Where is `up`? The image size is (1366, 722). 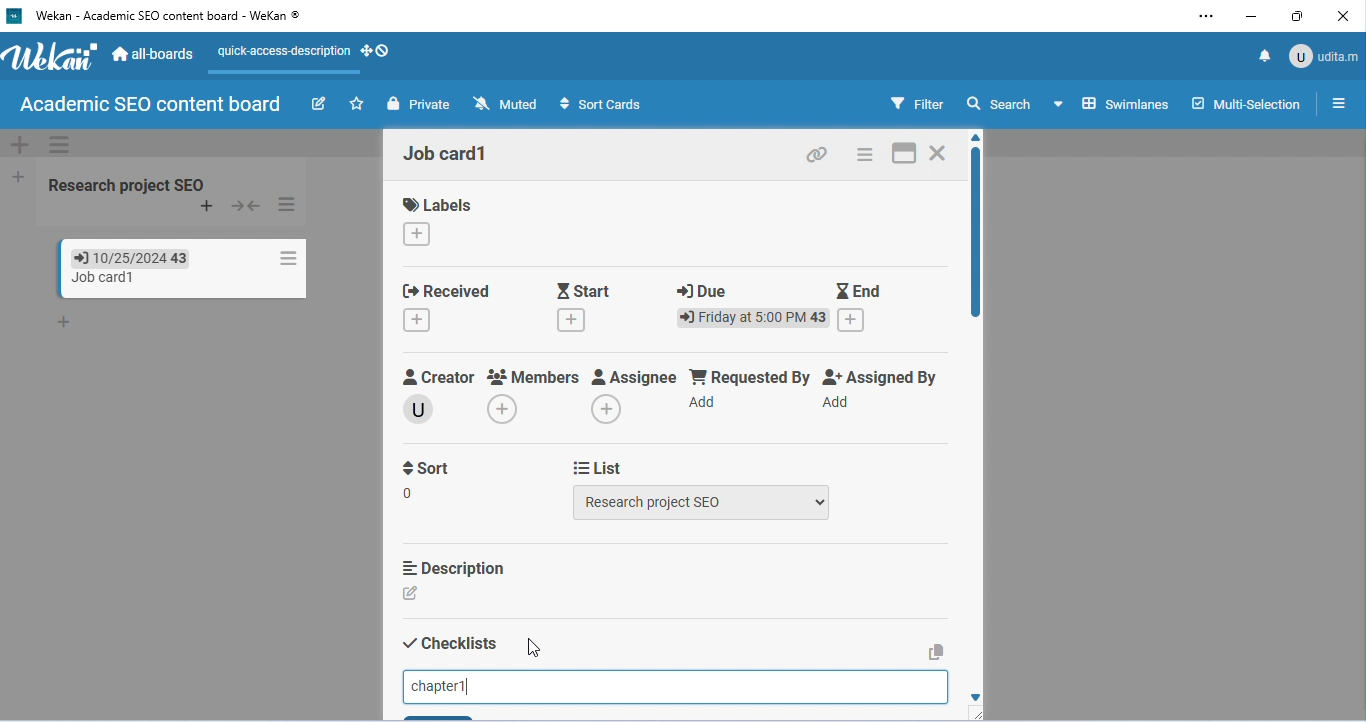 up is located at coordinates (981, 137).